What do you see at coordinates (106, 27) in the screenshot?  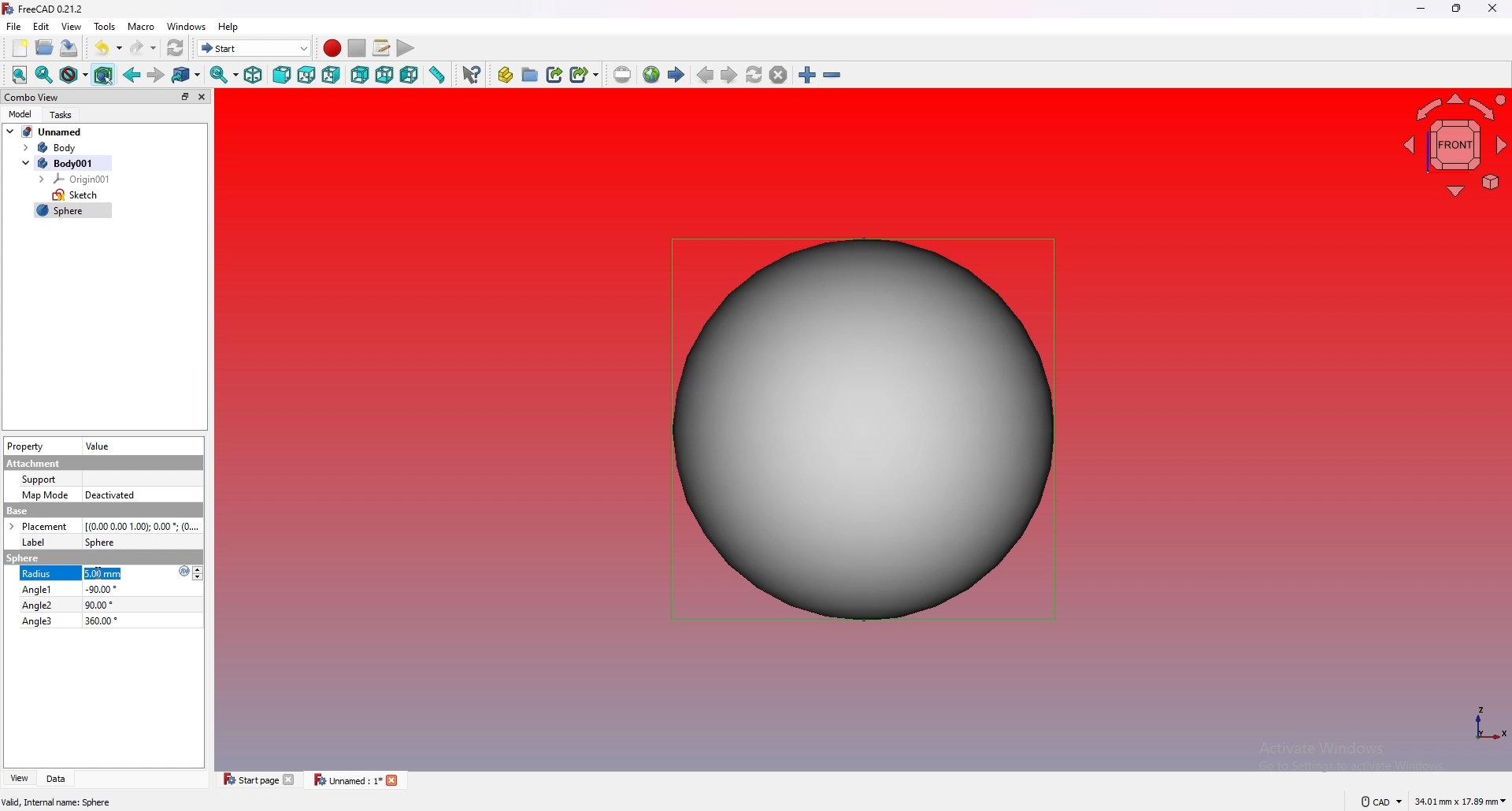 I see `tools` at bounding box center [106, 27].